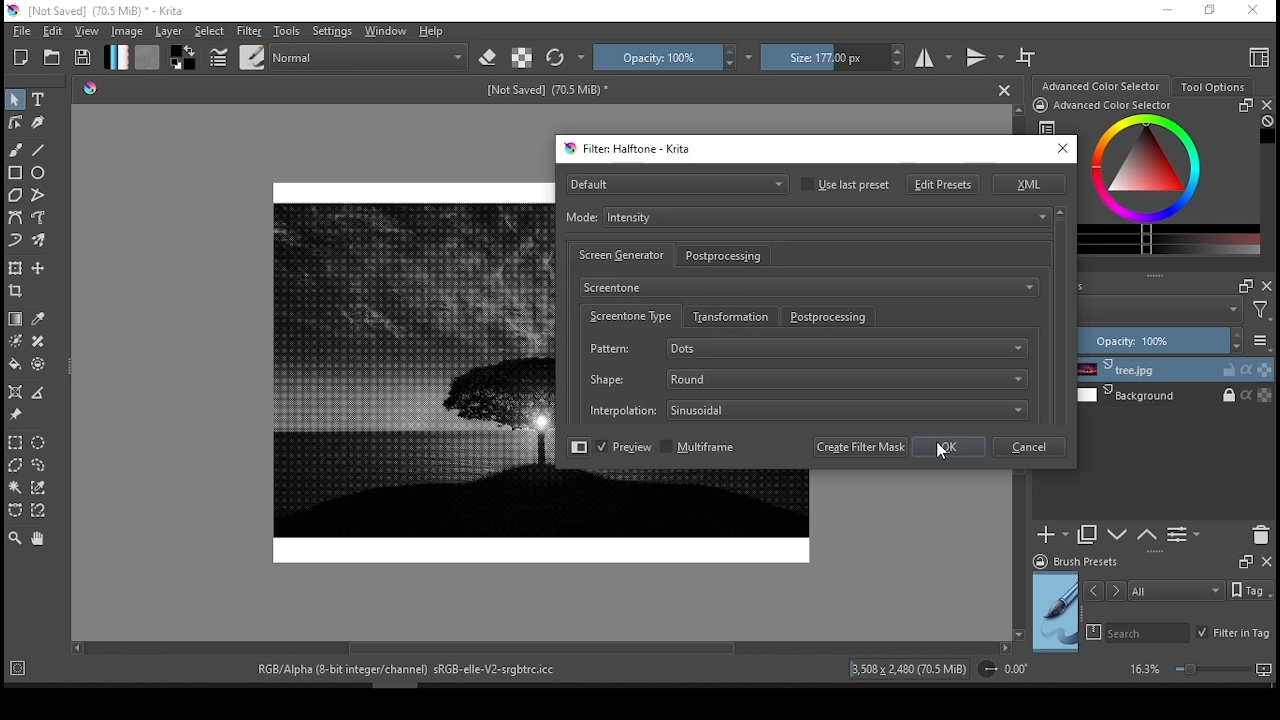 Image resolution: width=1280 pixels, height=720 pixels. What do you see at coordinates (15, 413) in the screenshot?
I see `reference image tool` at bounding box center [15, 413].